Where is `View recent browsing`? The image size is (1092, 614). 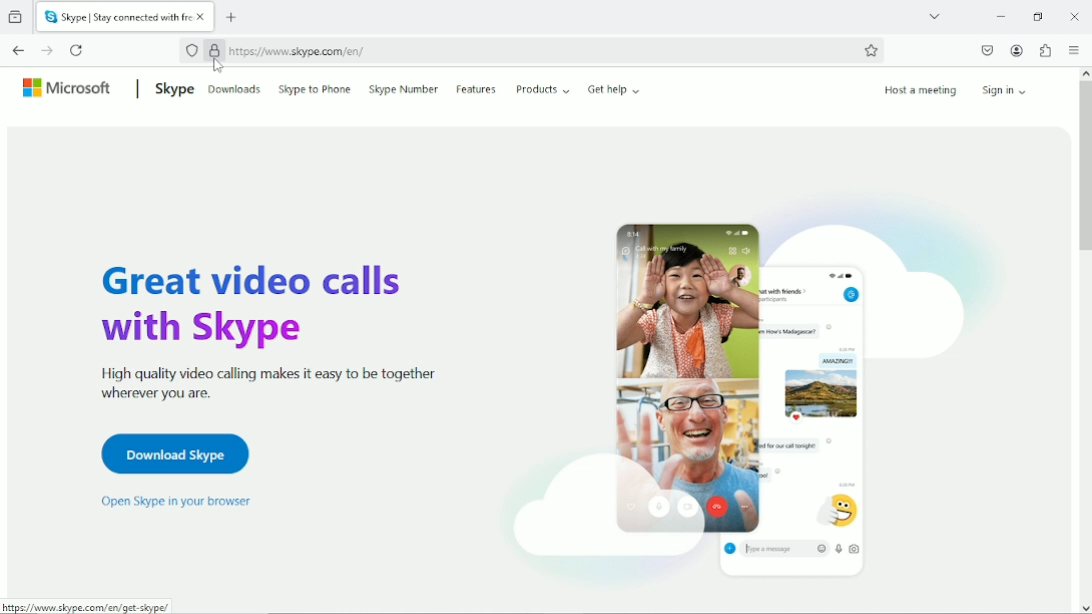 View recent browsing is located at coordinates (17, 18).